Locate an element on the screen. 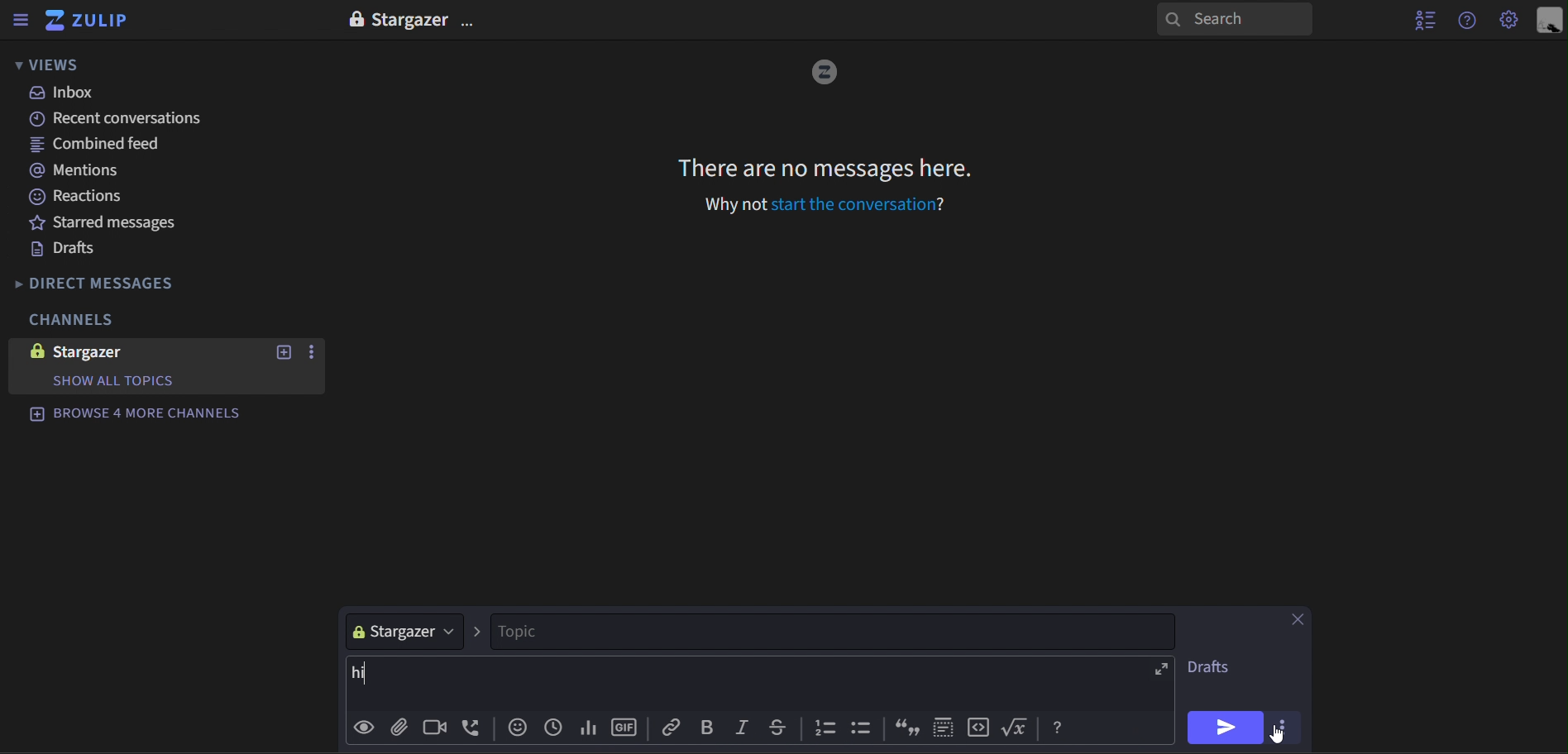  options is located at coordinates (470, 19).